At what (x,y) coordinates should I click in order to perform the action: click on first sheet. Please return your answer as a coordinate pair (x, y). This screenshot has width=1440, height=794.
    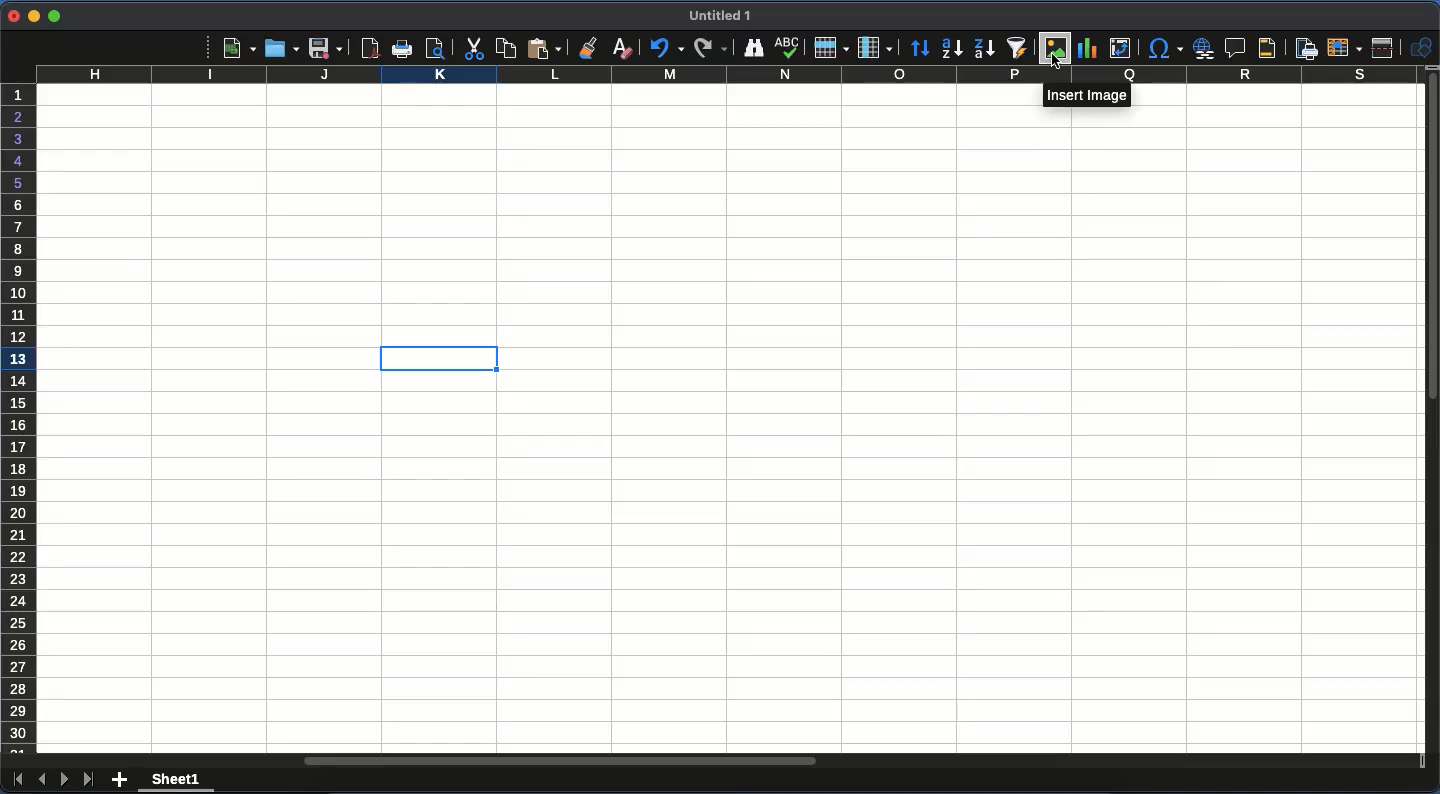
    Looking at the image, I should click on (17, 783).